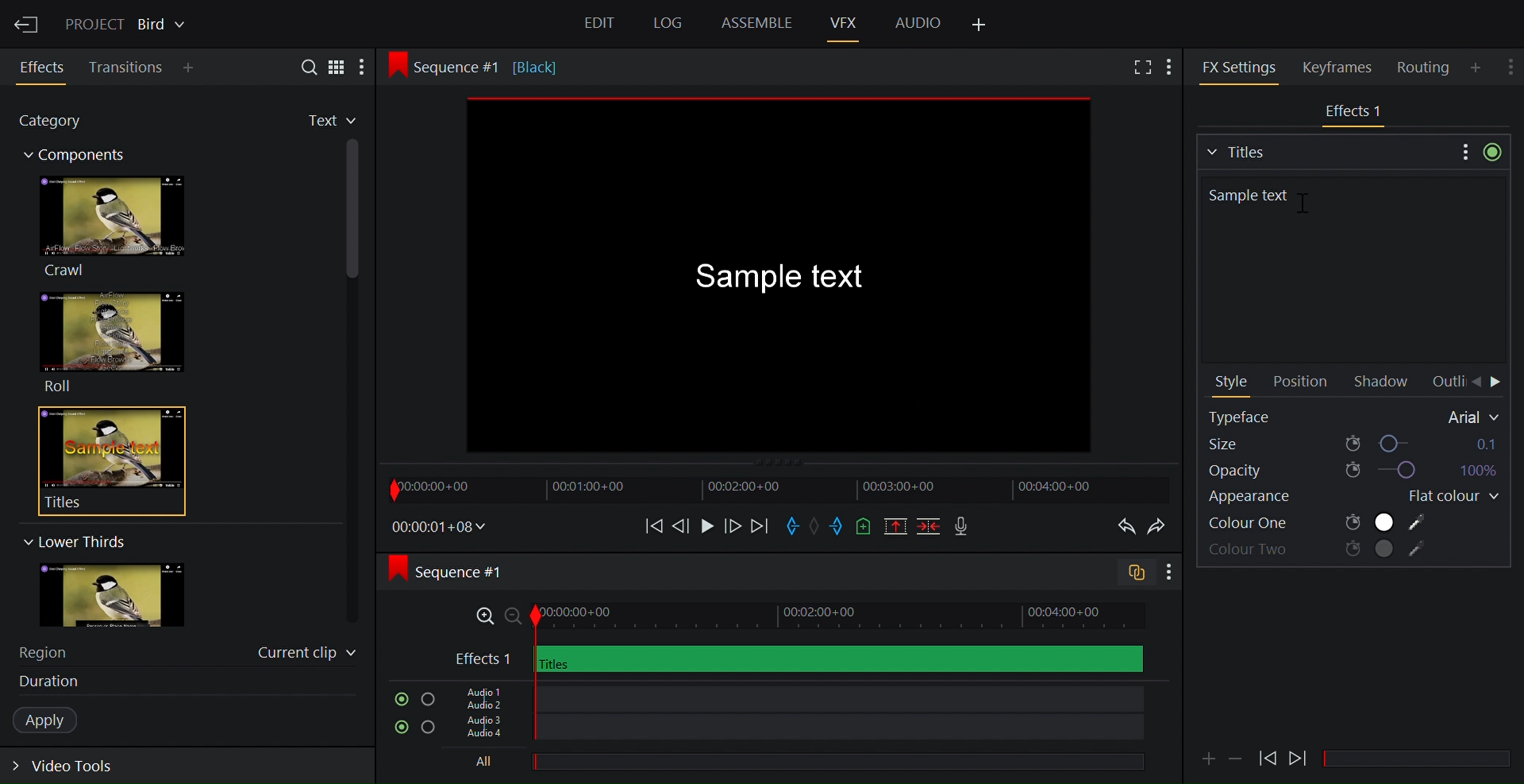 The height and width of the screenshot is (784, 1524). I want to click on Solo this track, so click(428, 700).